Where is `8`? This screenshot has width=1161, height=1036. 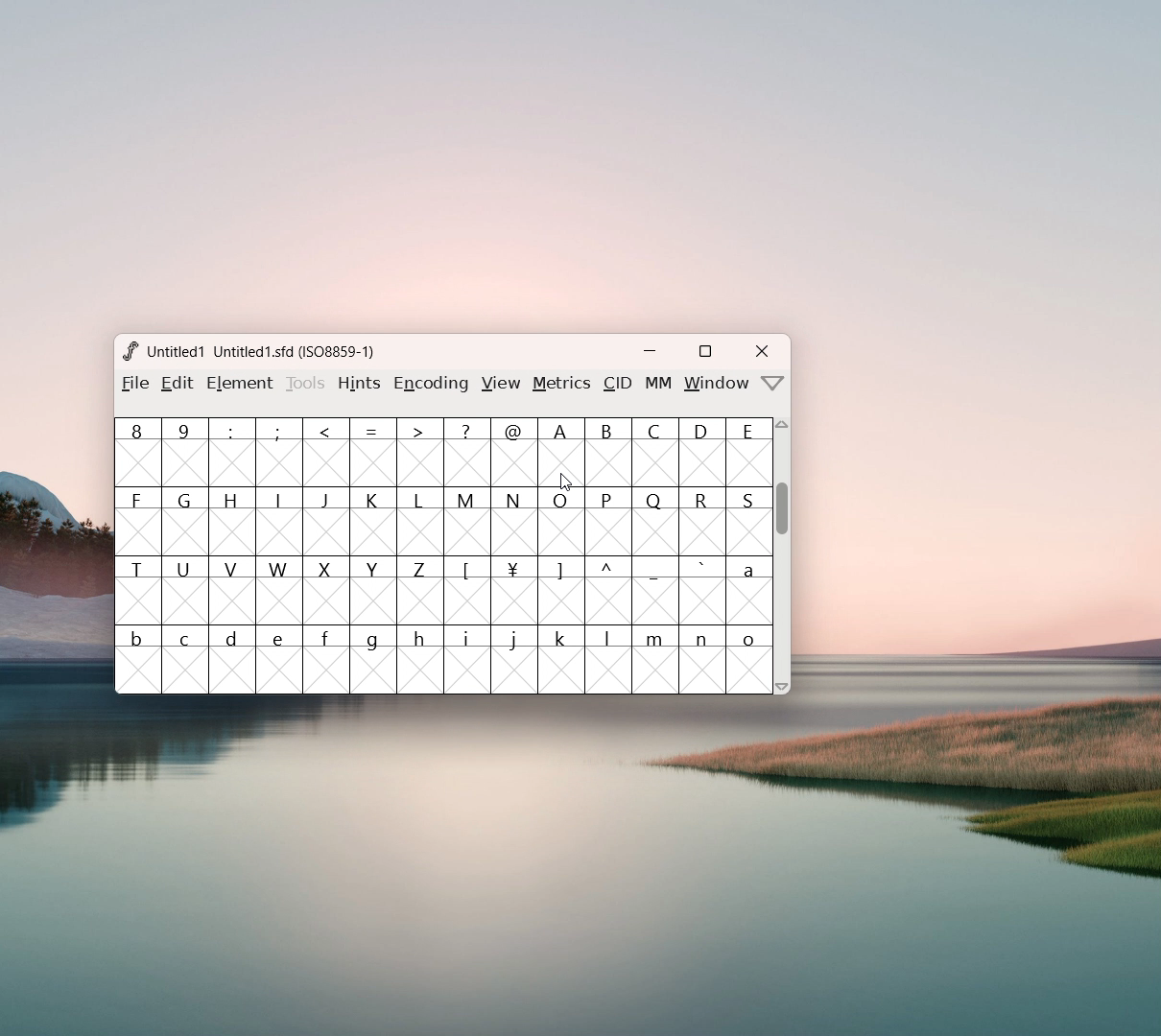
8 is located at coordinates (137, 453).